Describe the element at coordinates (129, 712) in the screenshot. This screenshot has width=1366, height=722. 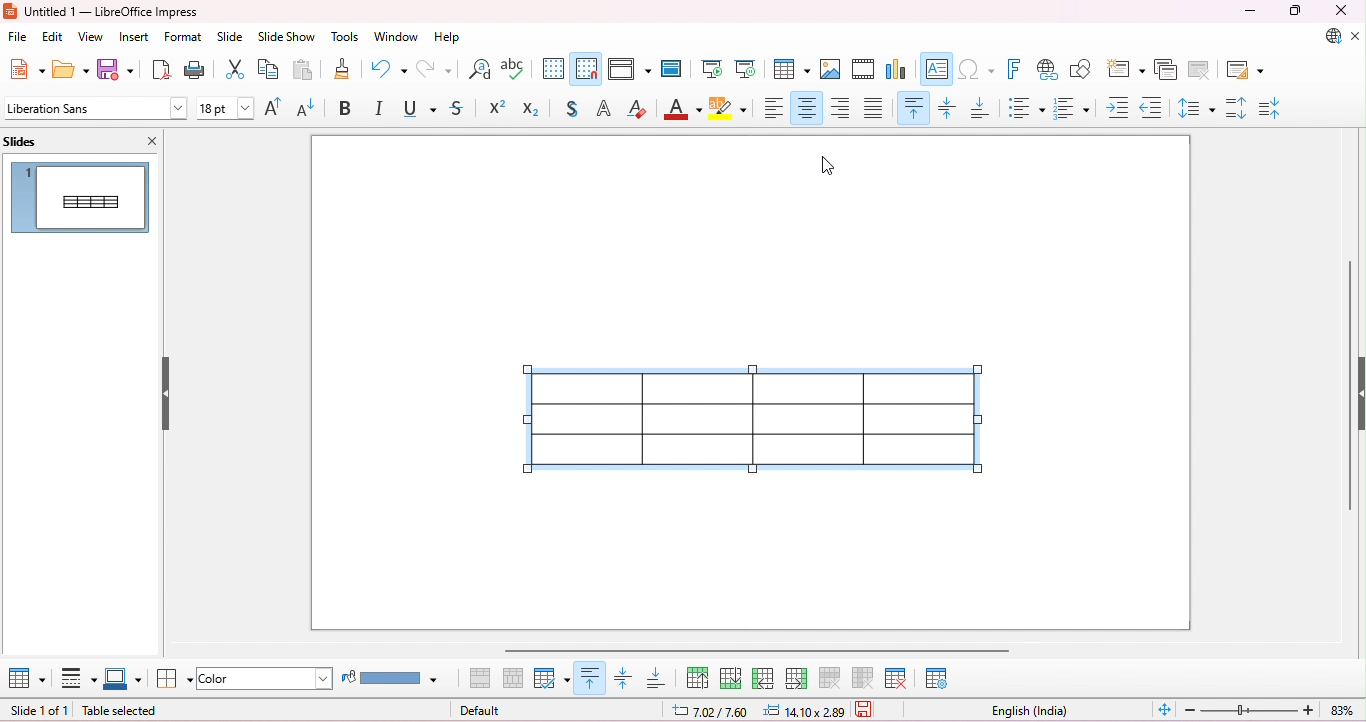
I see `table selected` at that location.